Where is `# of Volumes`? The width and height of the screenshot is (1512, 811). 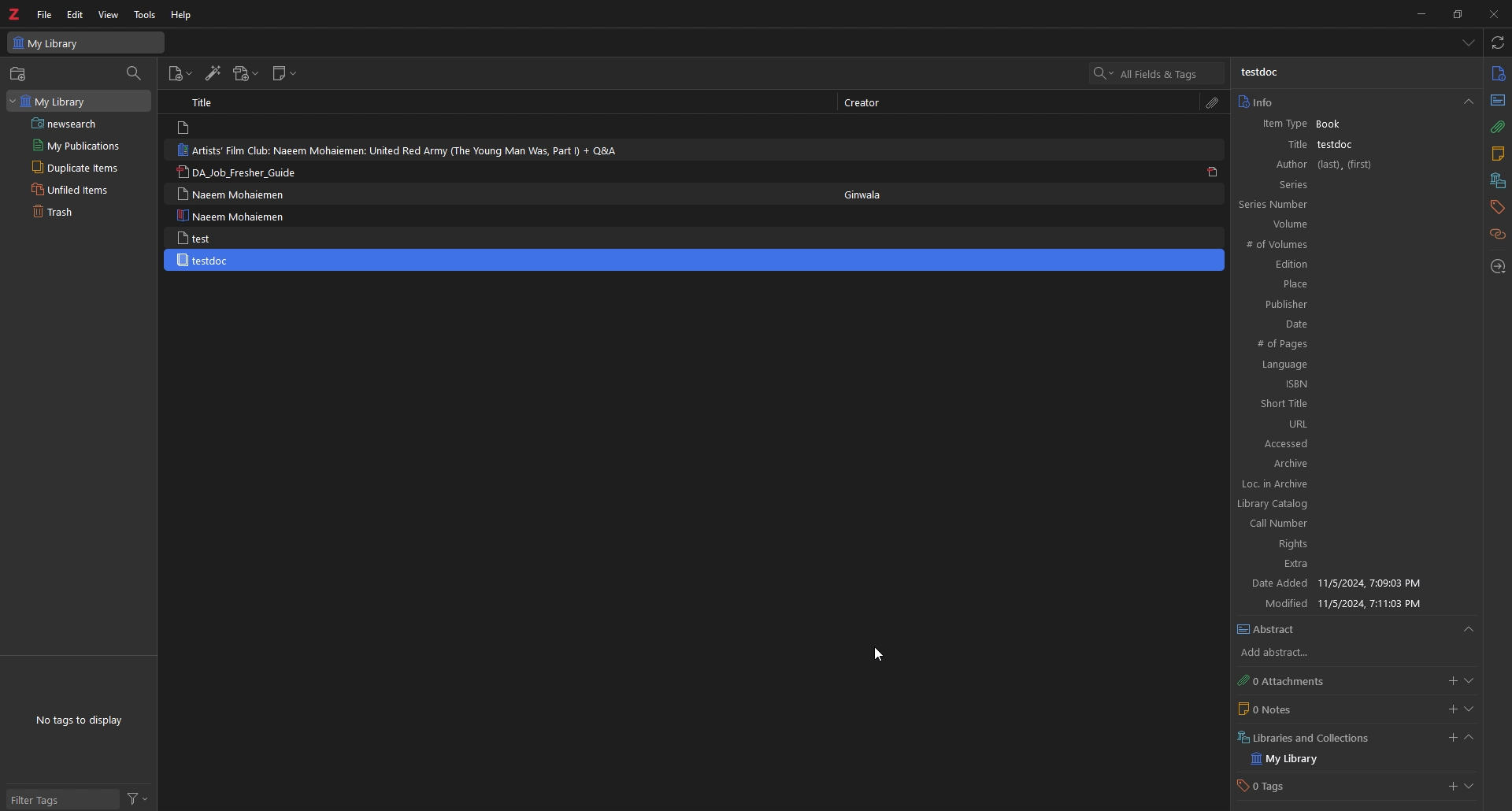 # of Volumes is located at coordinates (1342, 246).